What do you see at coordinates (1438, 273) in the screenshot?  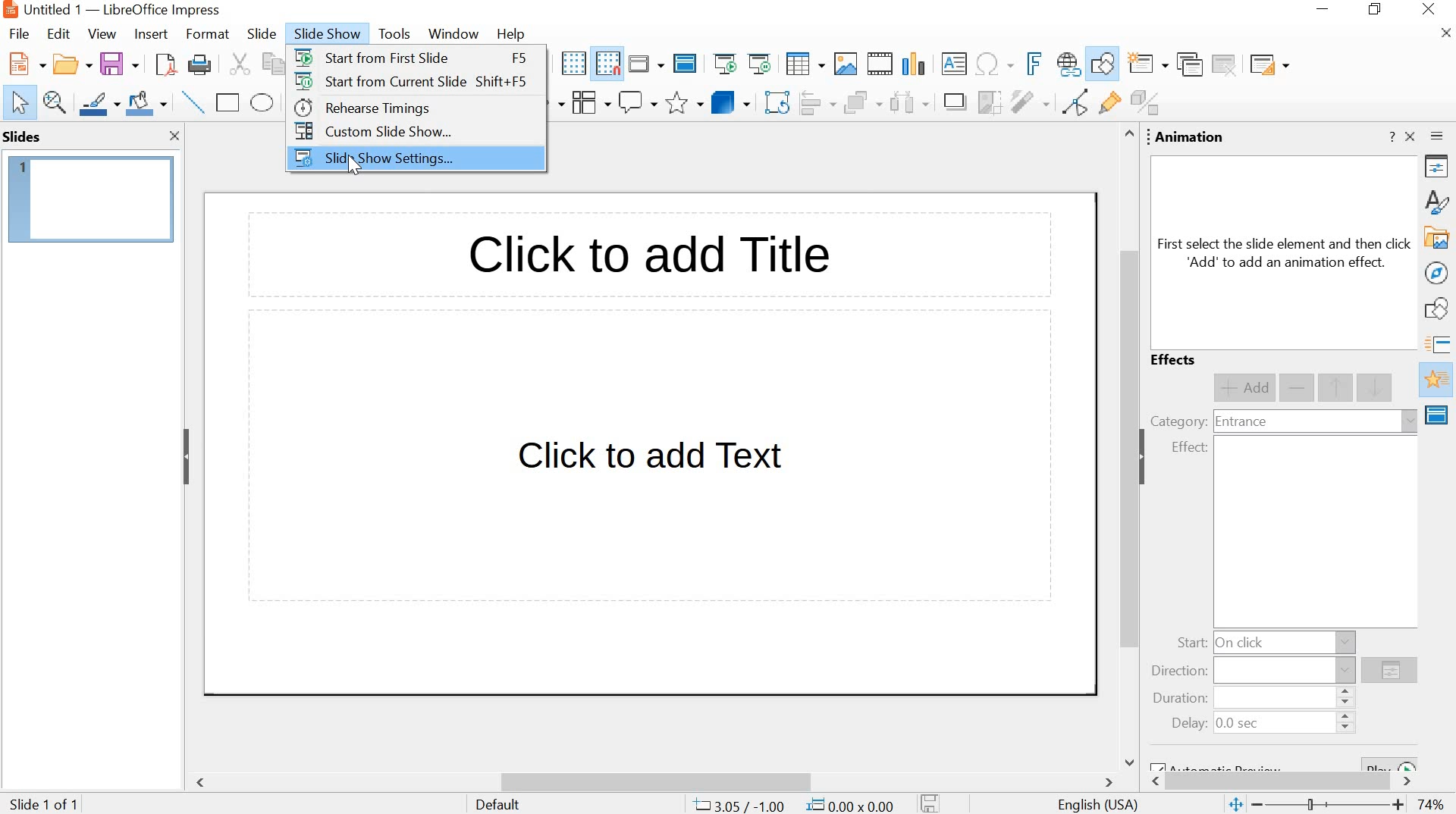 I see `navigate` at bounding box center [1438, 273].